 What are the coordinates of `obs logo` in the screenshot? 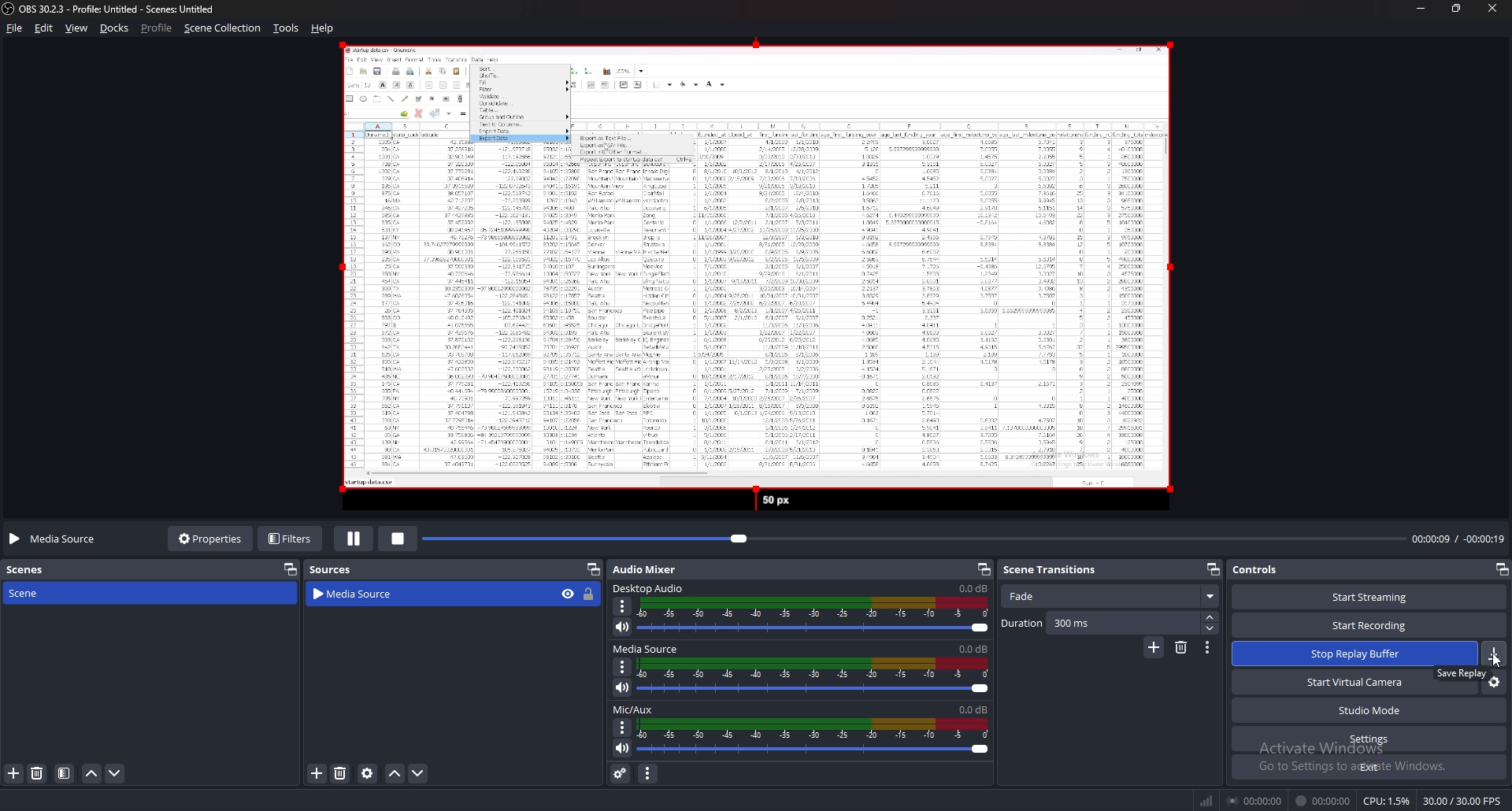 It's located at (9, 9).